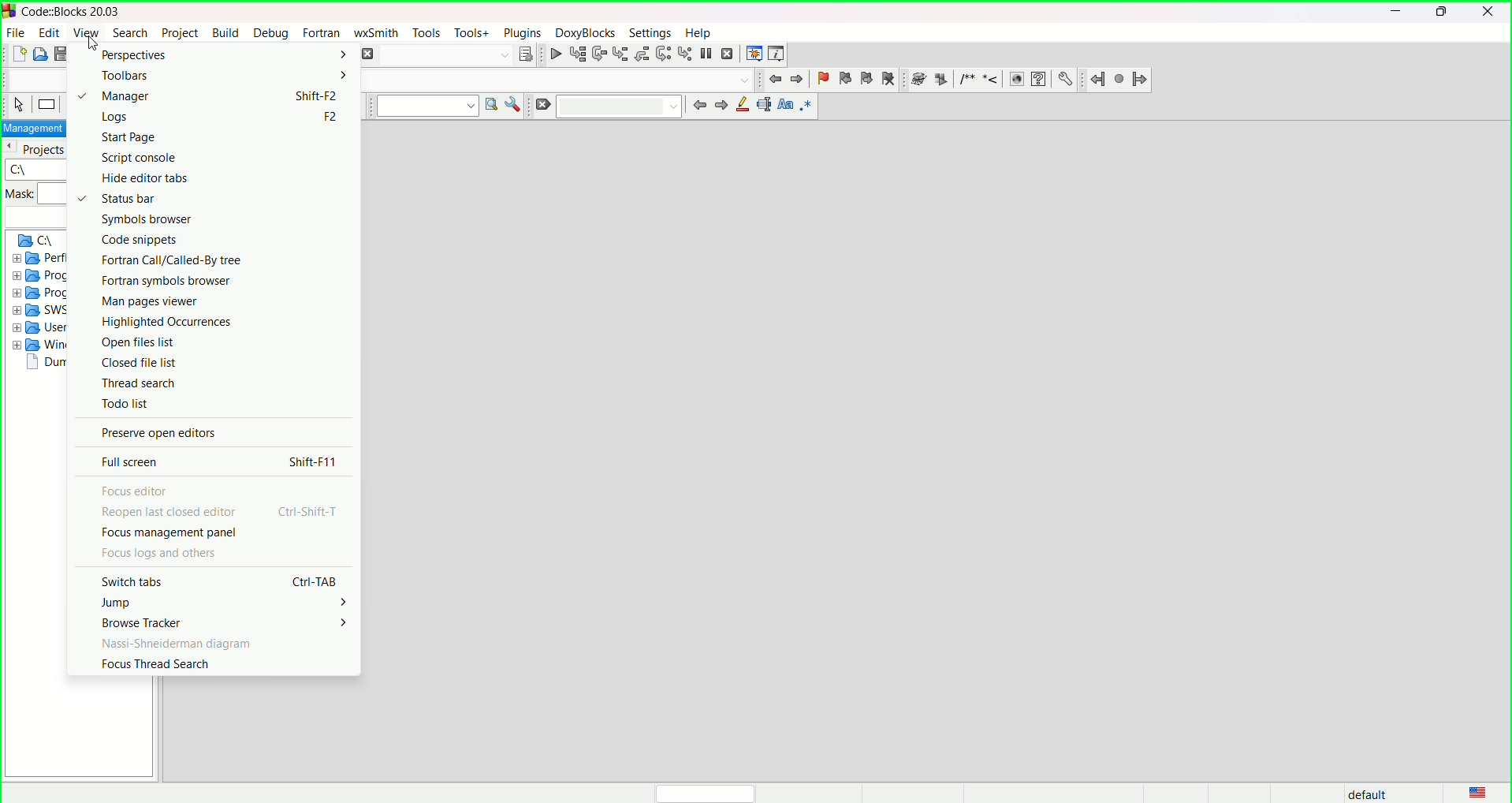 This screenshot has width=1512, height=803. Describe the element at coordinates (173, 643) in the screenshot. I see `nassi-shneiderman diagram` at that location.